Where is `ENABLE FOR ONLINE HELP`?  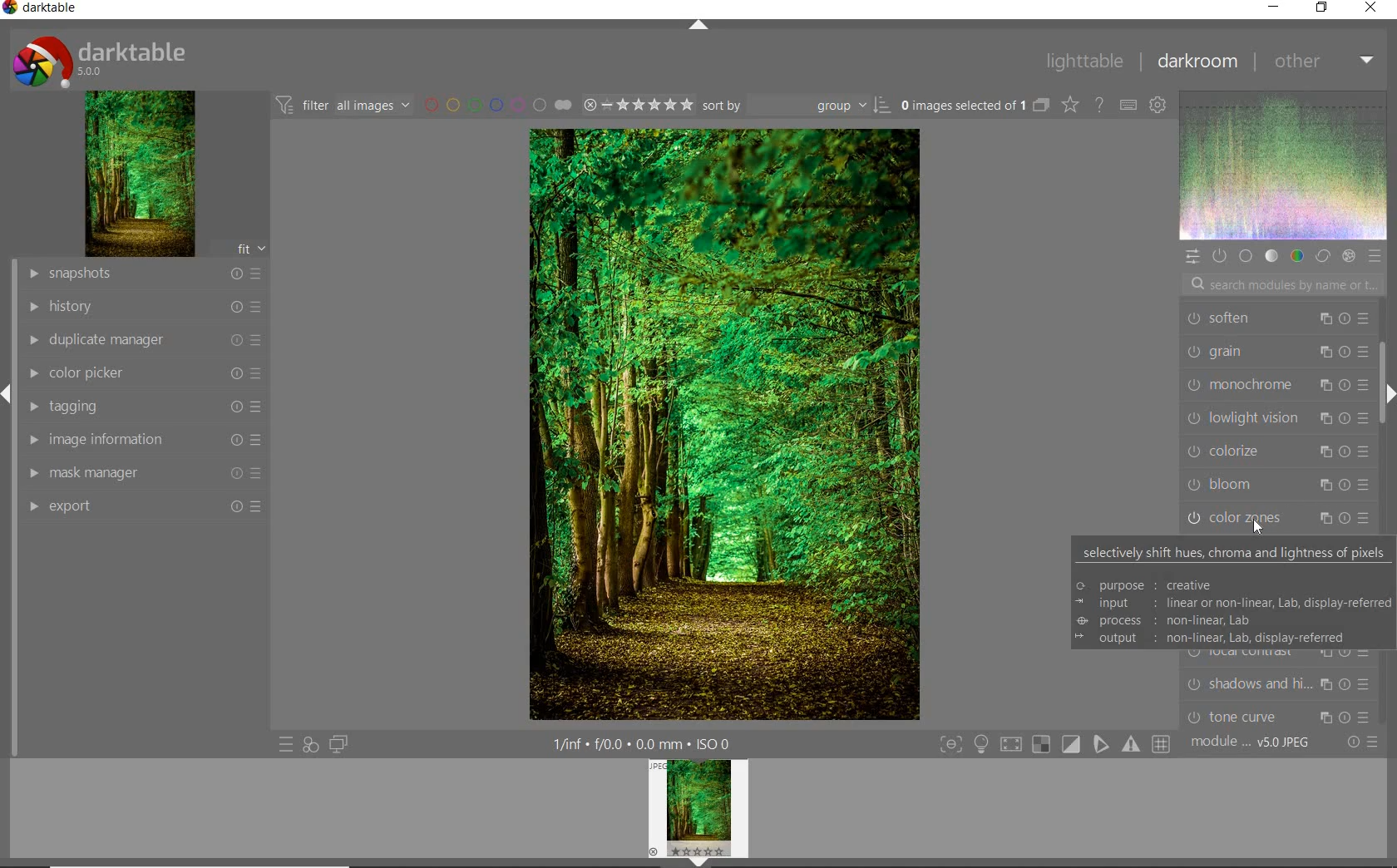 ENABLE FOR ONLINE HELP is located at coordinates (1098, 105).